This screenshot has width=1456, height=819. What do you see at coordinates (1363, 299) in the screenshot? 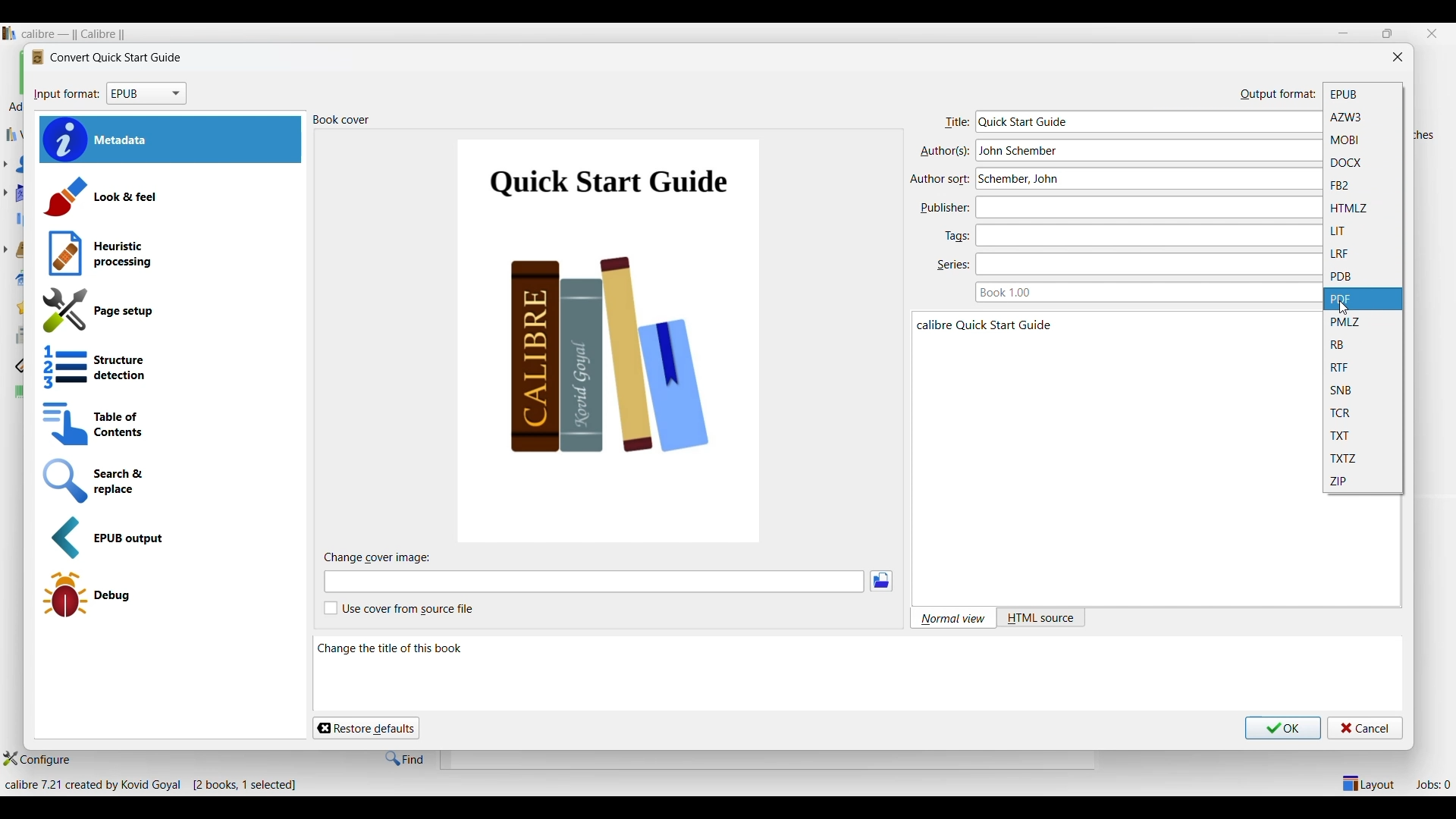
I see `PDF` at bounding box center [1363, 299].